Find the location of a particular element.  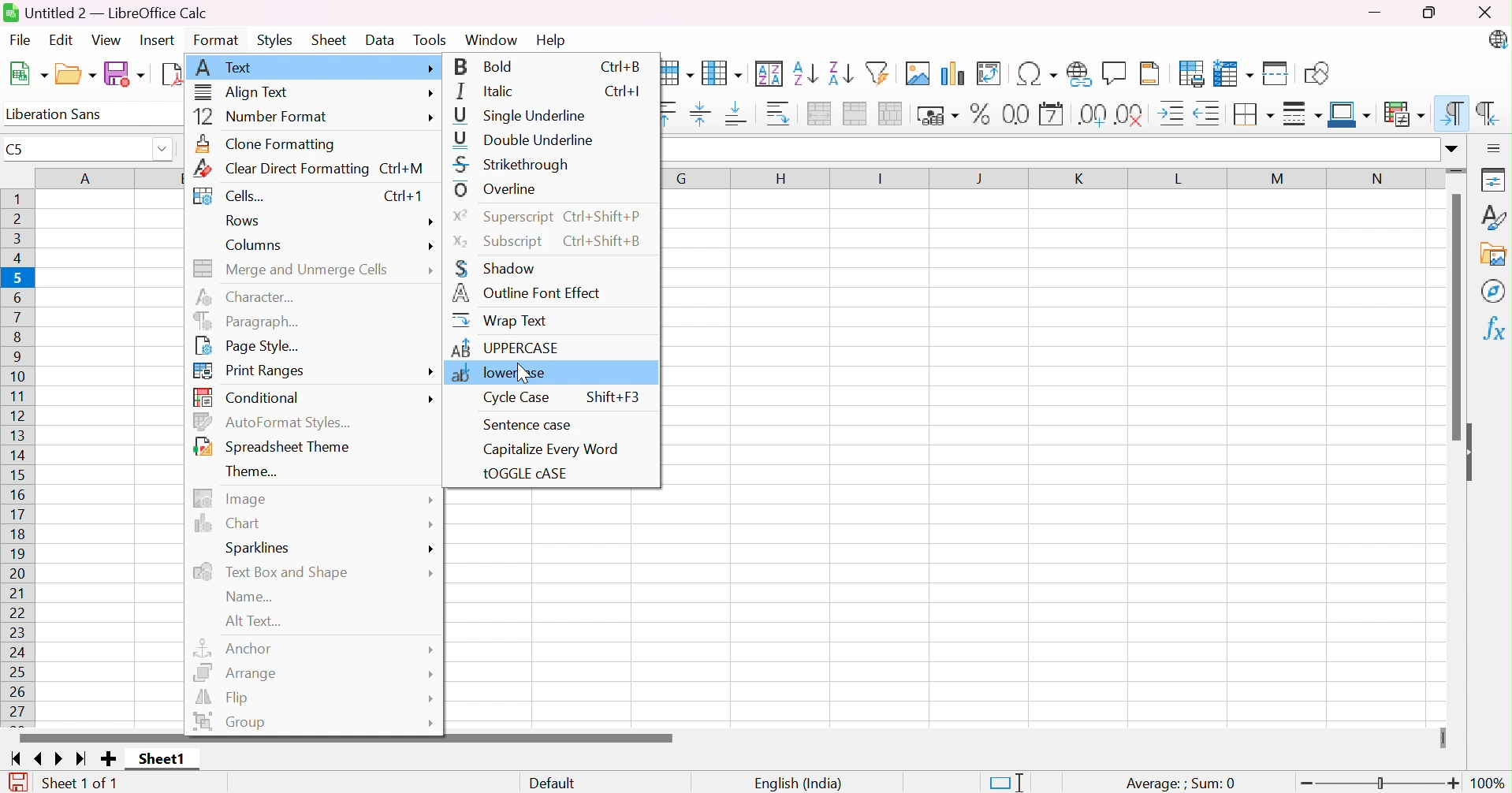

More is located at coordinates (431, 549).